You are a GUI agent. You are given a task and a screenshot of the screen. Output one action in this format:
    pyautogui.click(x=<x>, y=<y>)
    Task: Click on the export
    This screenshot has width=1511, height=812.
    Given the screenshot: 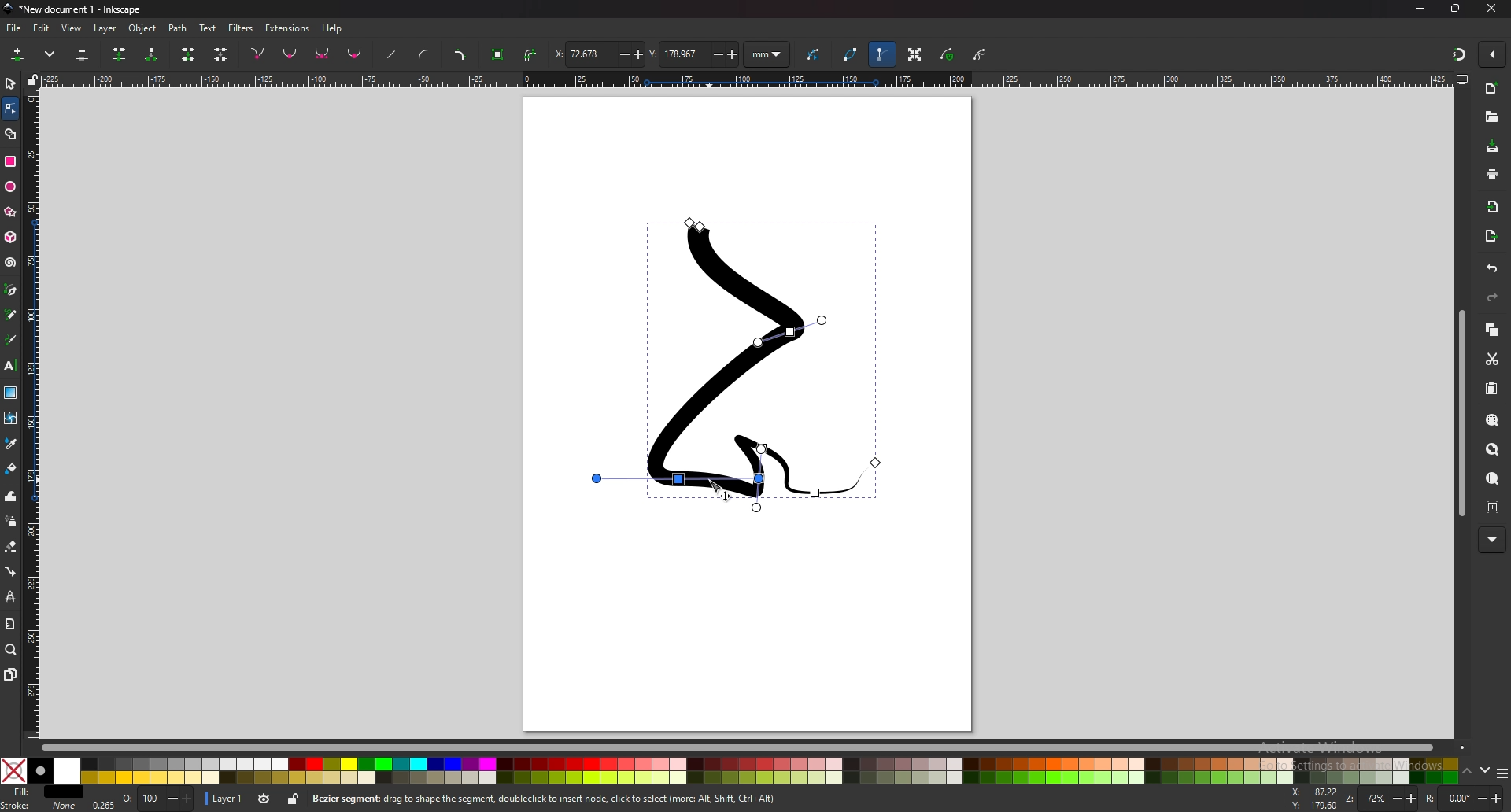 What is the action you would take?
    pyautogui.click(x=1491, y=235)
    